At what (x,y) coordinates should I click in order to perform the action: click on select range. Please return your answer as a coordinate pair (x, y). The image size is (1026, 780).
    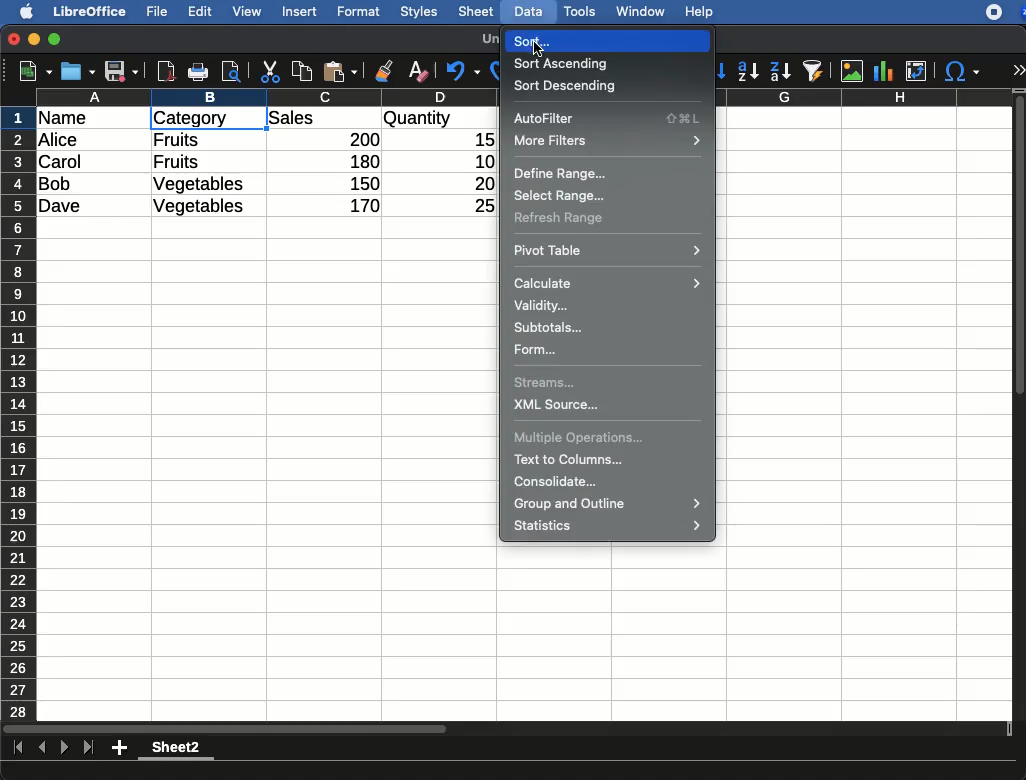
    Looking at the image, I should click on (560, 193).